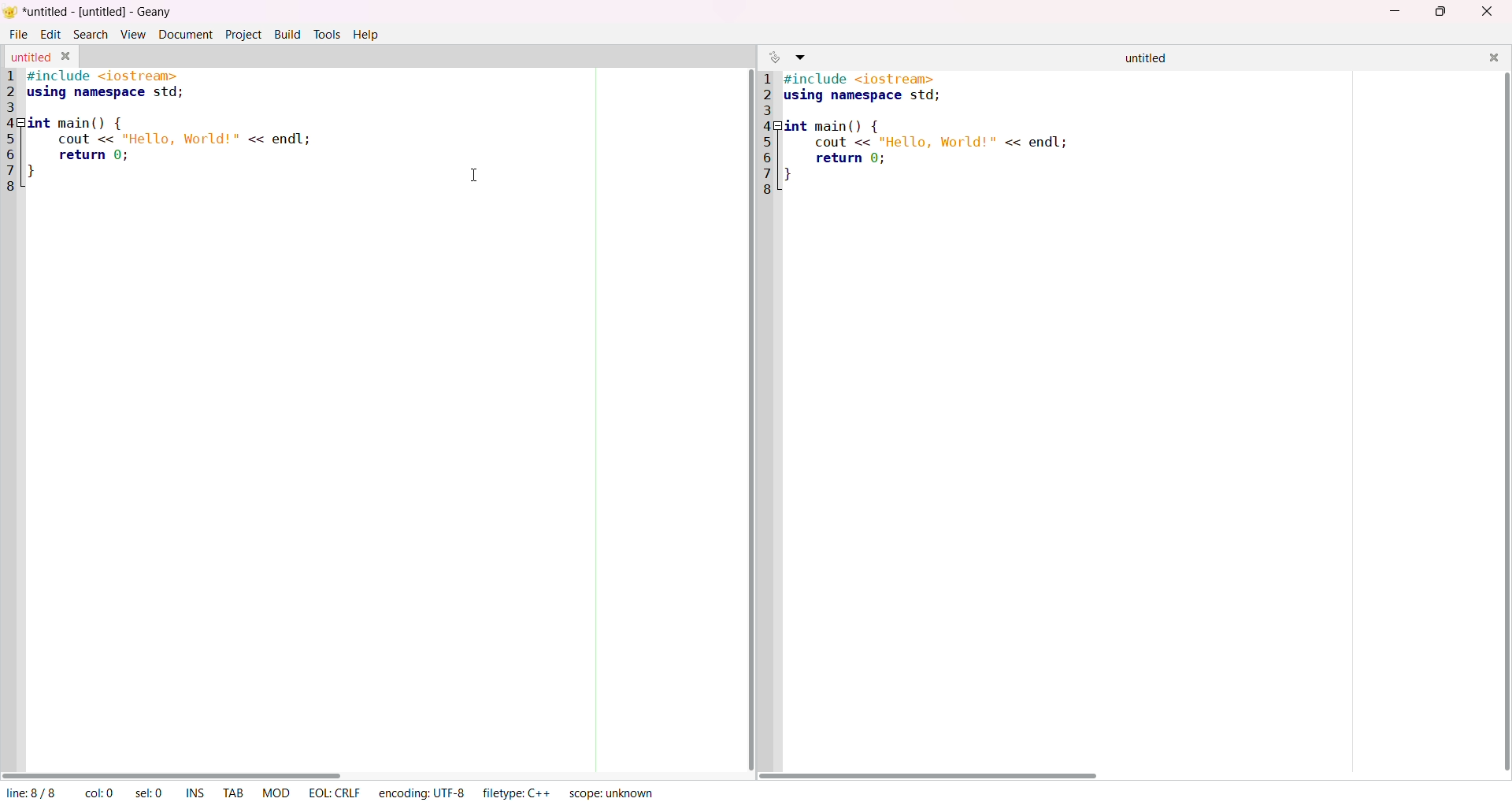 This screenshot has height=802, width=1512. I want to click on encoding: UTF-8, so click(424, 794).